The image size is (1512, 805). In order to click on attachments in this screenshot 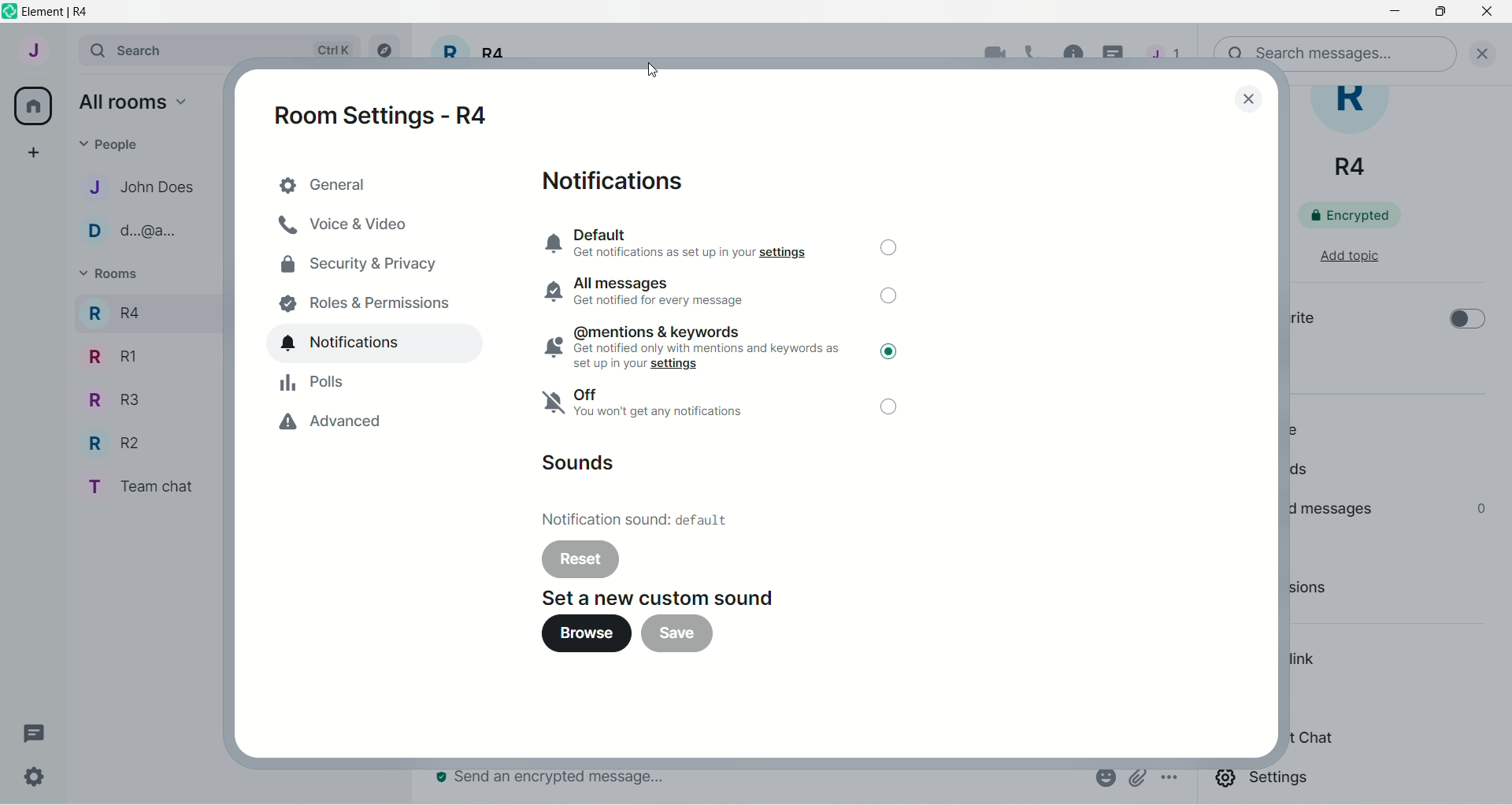, I will do `click(1137, 778)`.